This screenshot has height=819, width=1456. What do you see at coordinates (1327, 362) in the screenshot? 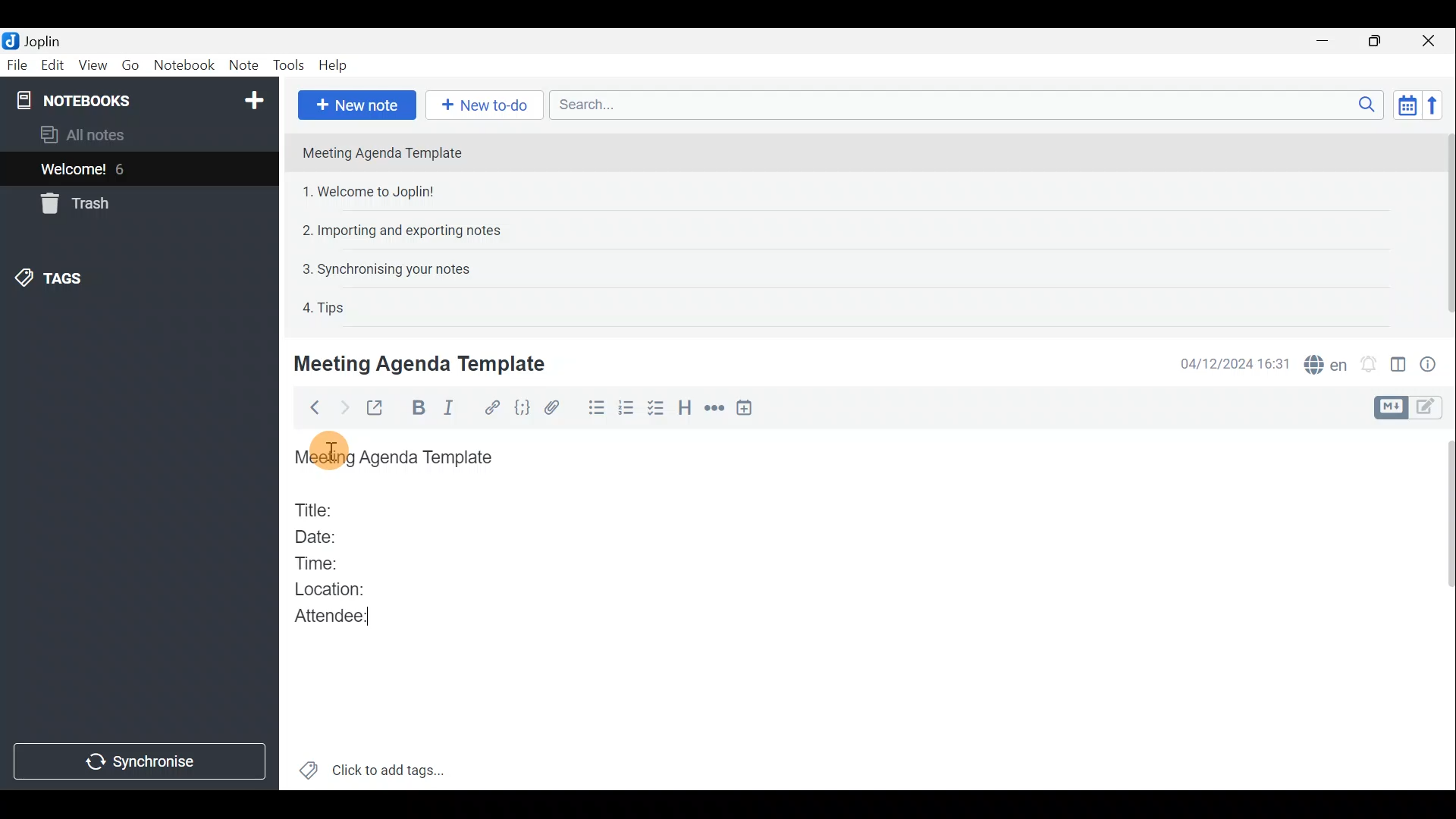
I see `Spell checker` at bounding box center [1327, 362].